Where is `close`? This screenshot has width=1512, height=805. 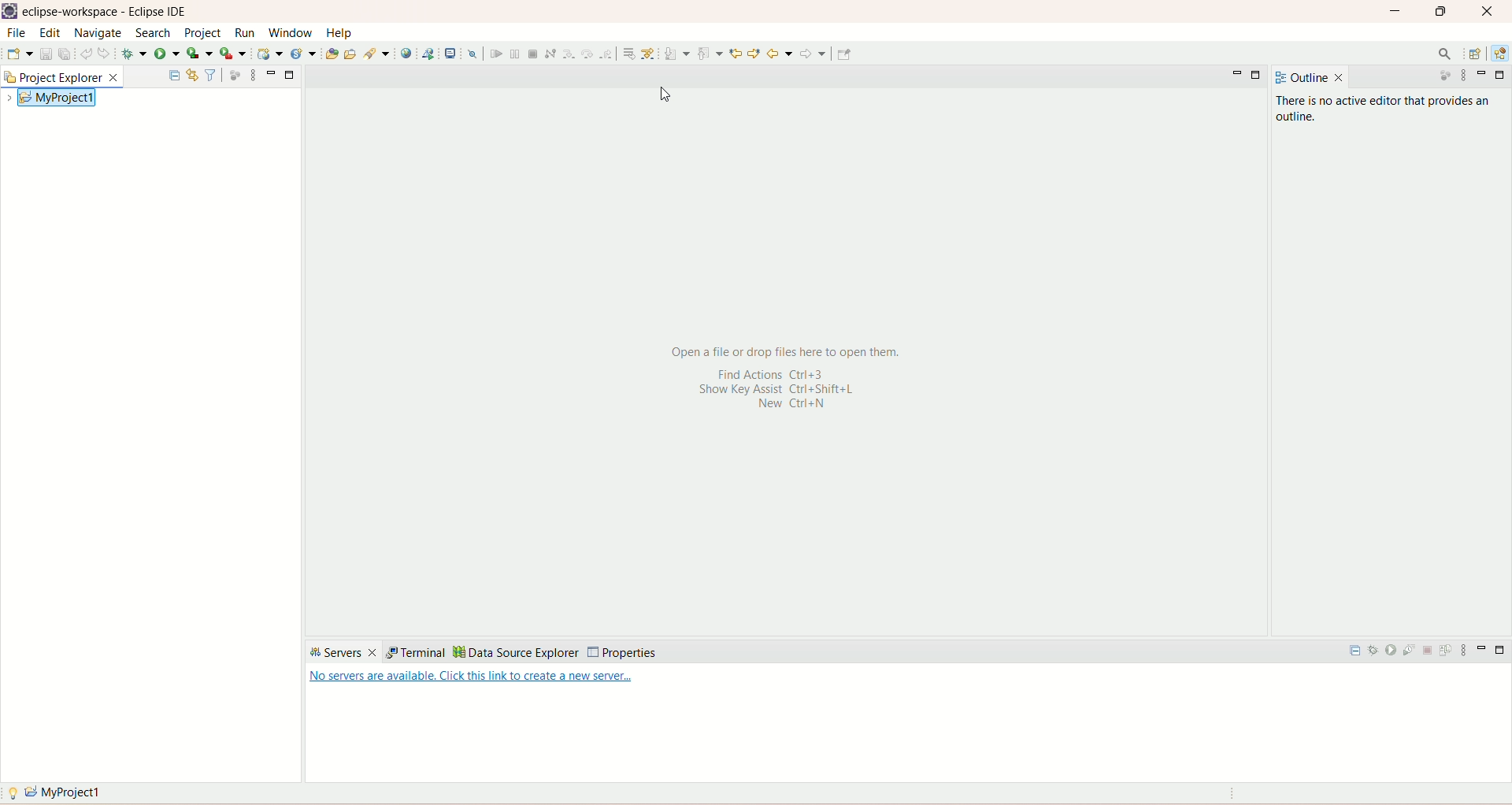
close is located at coordinates (1488, 12).